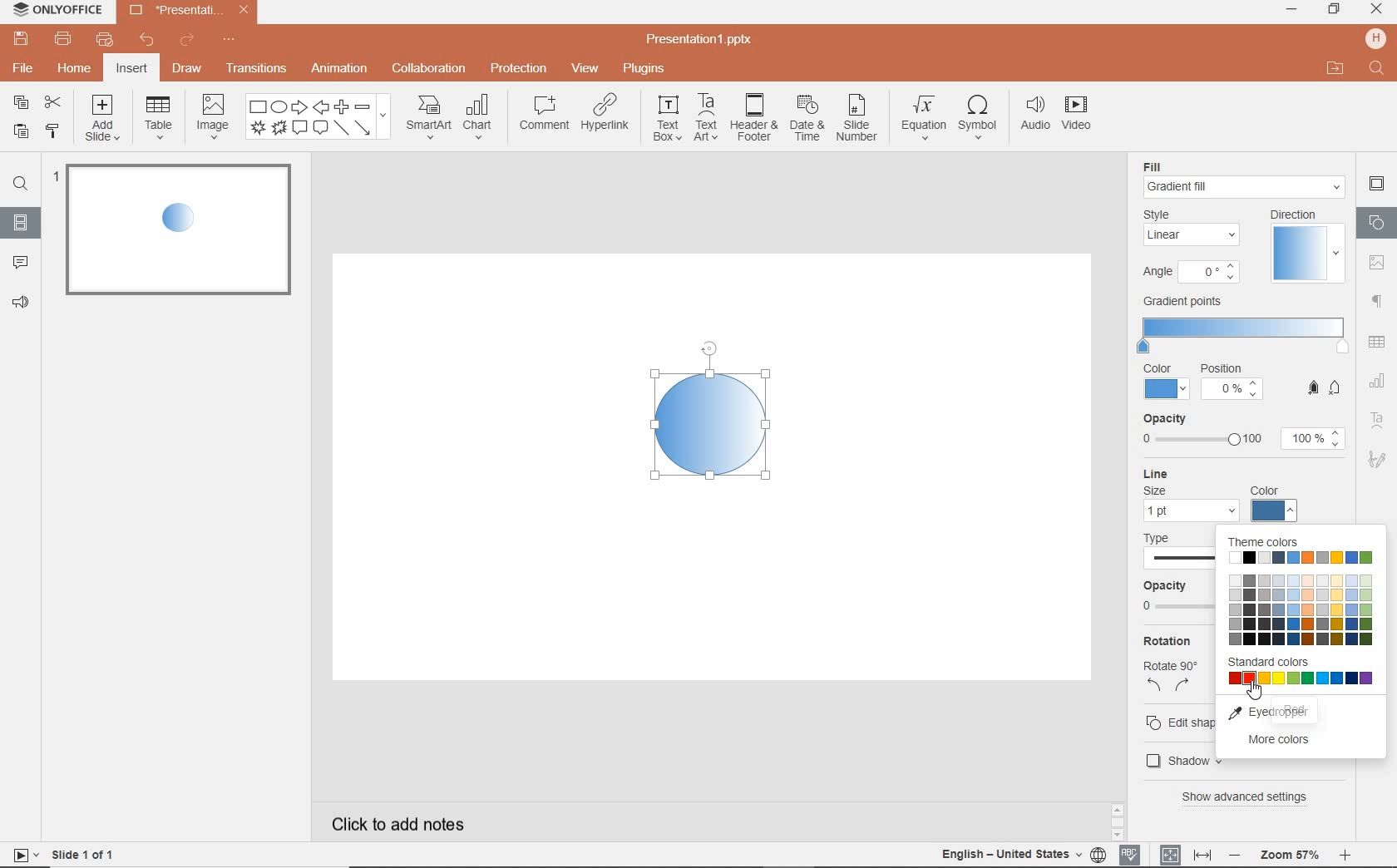 The height and width of the screenshot is (868, 1397). What do you see at coordinates (1376, 11) in the screenshot?
I see `close` at bounding box center [1376, 11].